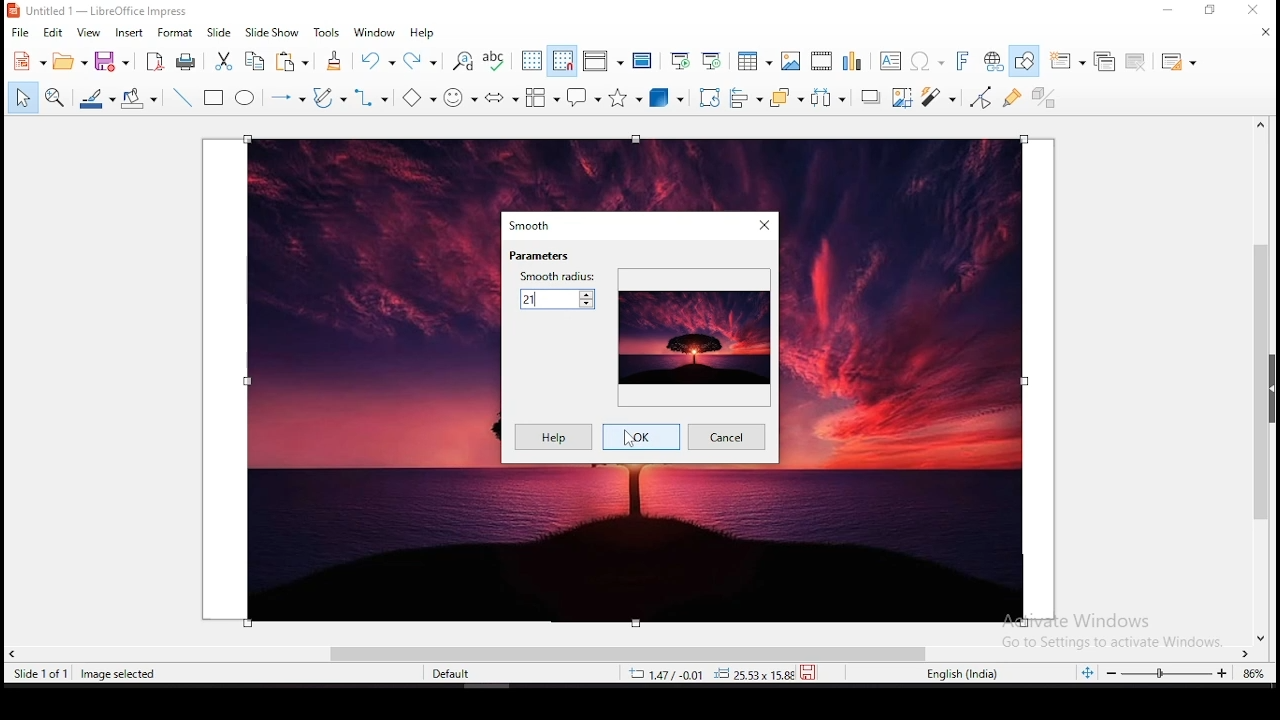  I want to click on copy, so click(289, 61).